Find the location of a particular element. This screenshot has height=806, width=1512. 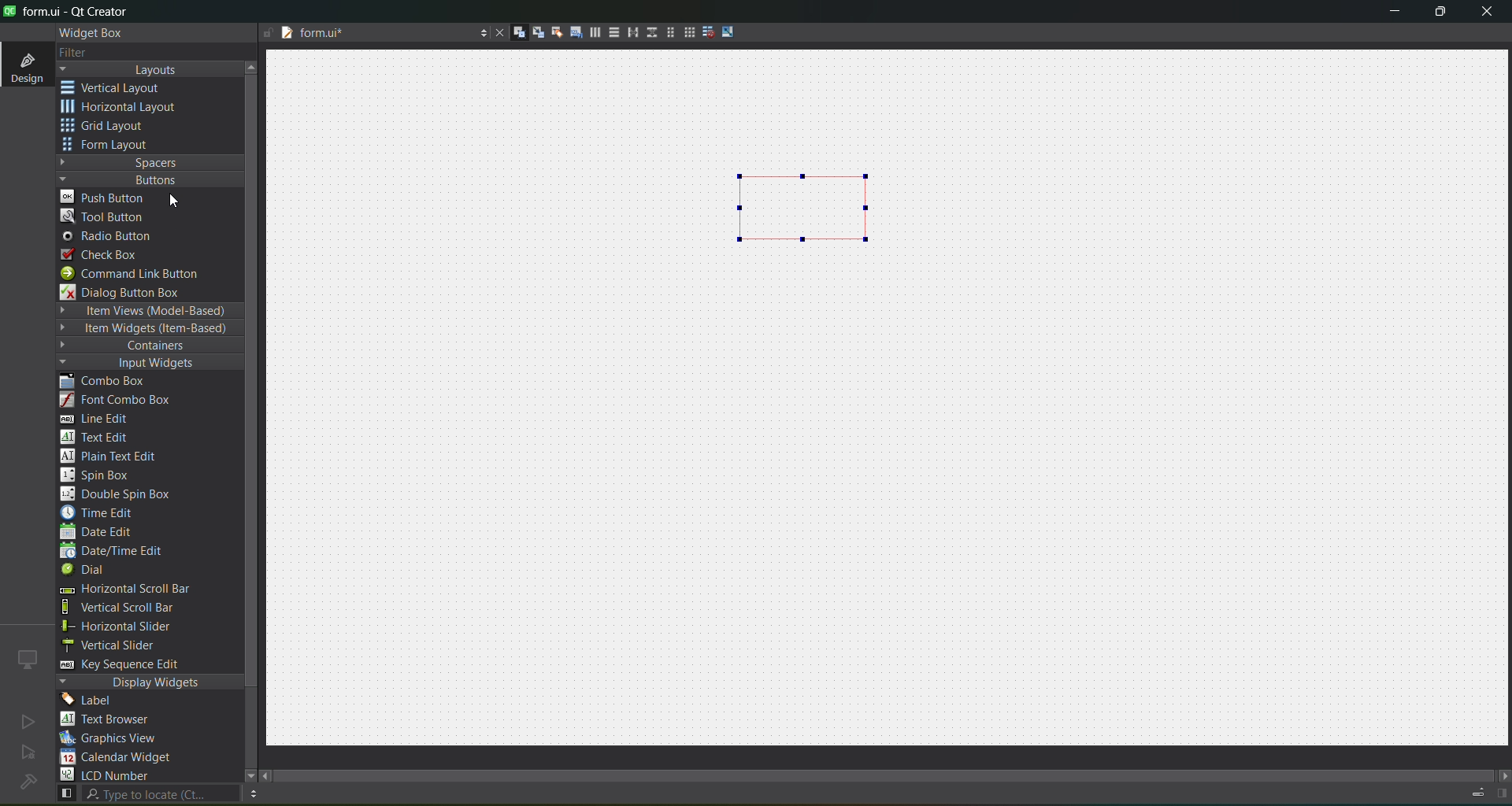

layout vertically is located at coordinates (610, 31).